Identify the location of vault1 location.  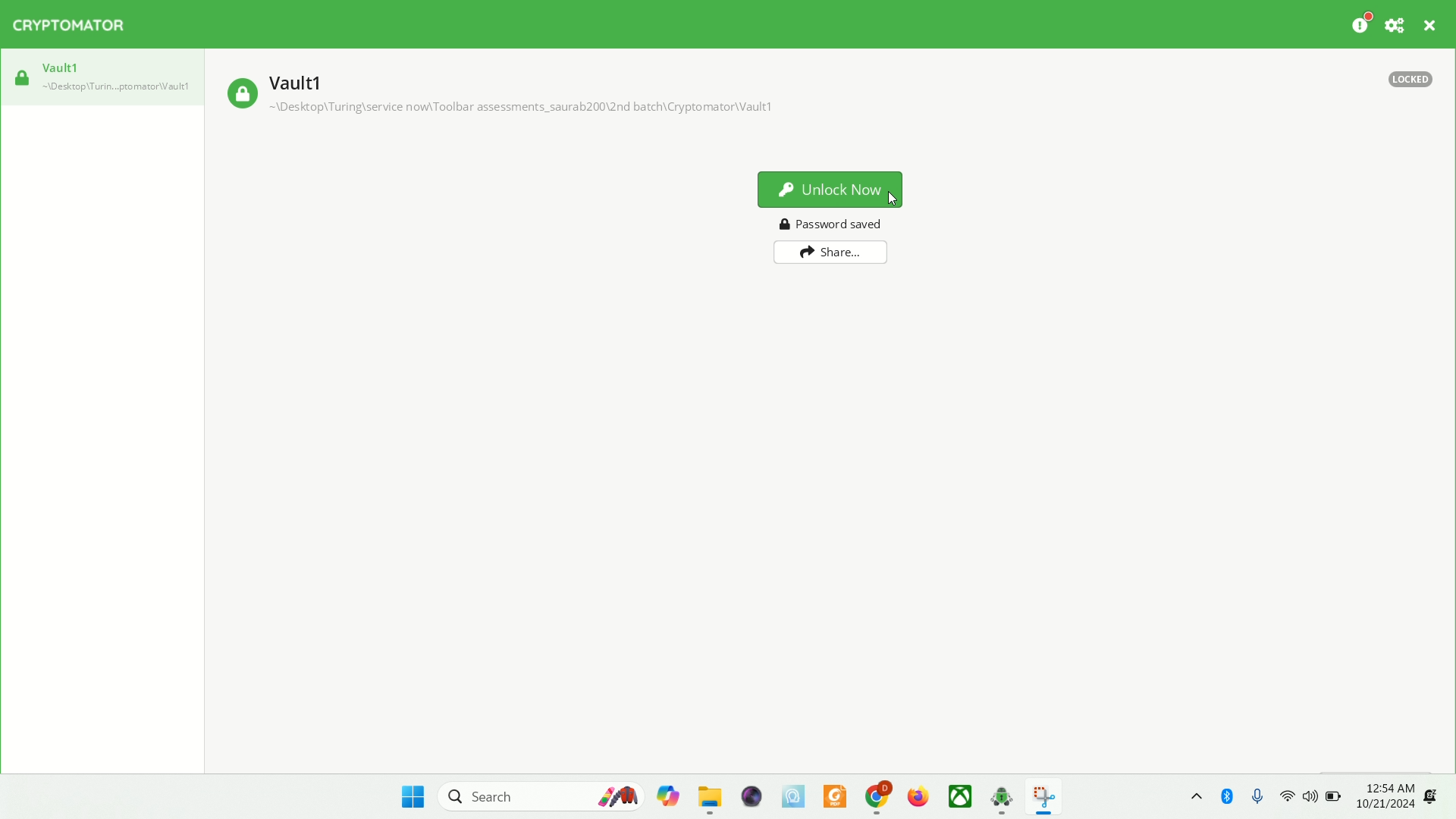
(522, 110).